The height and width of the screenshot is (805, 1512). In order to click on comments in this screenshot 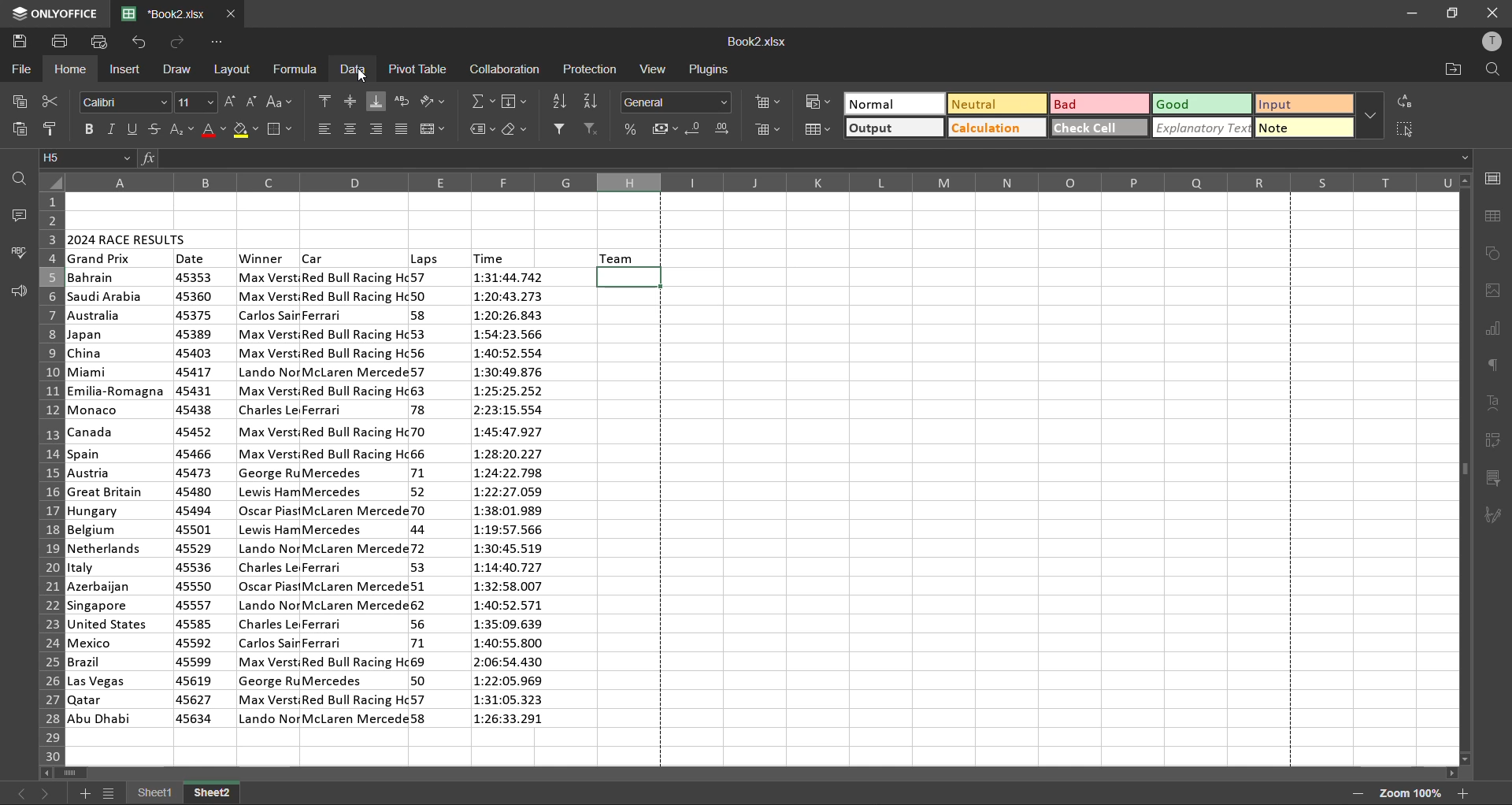, I will do `click(16, 215)`.